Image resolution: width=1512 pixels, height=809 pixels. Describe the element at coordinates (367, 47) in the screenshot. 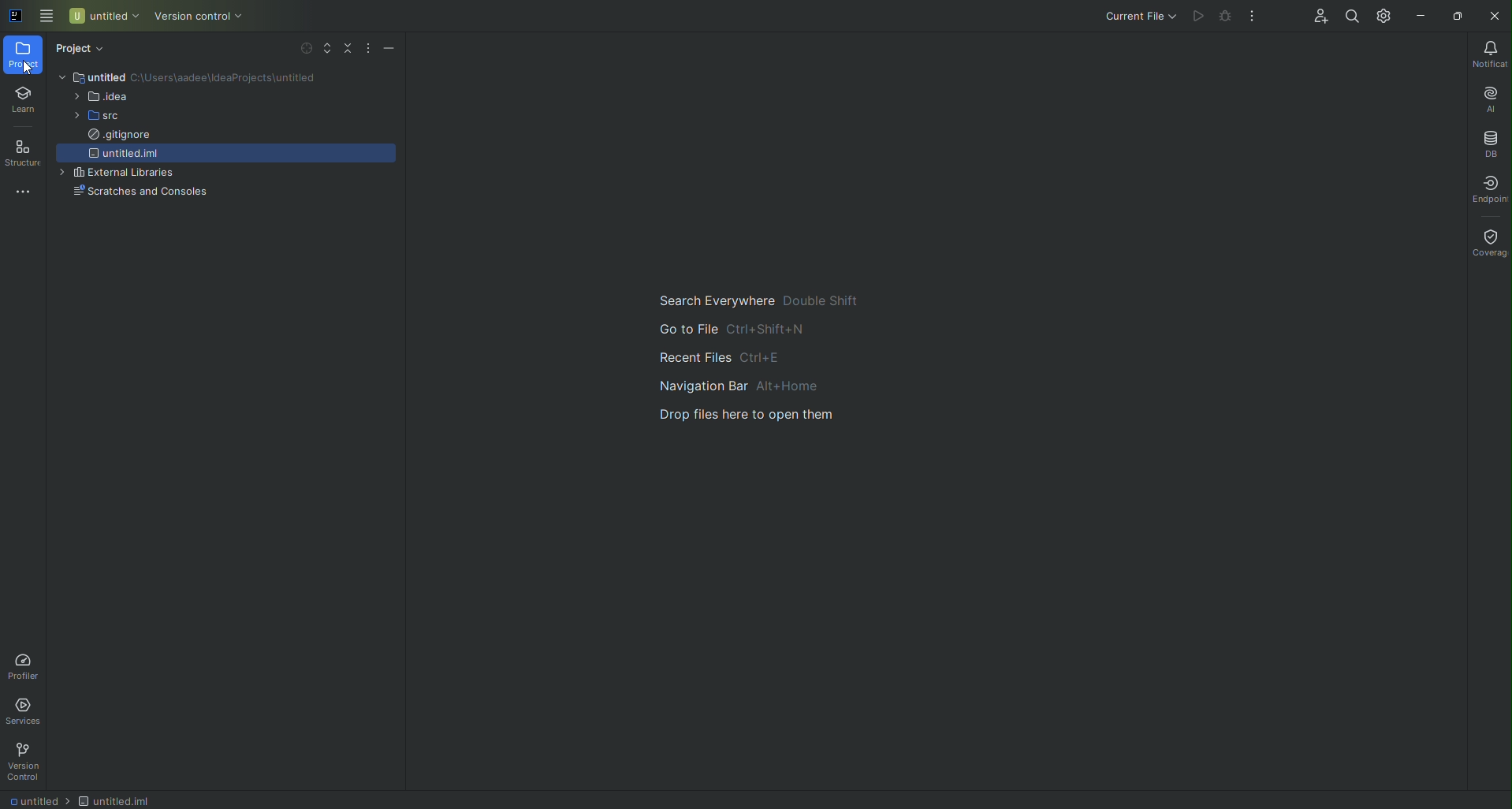

I see `More Actions` at that location.